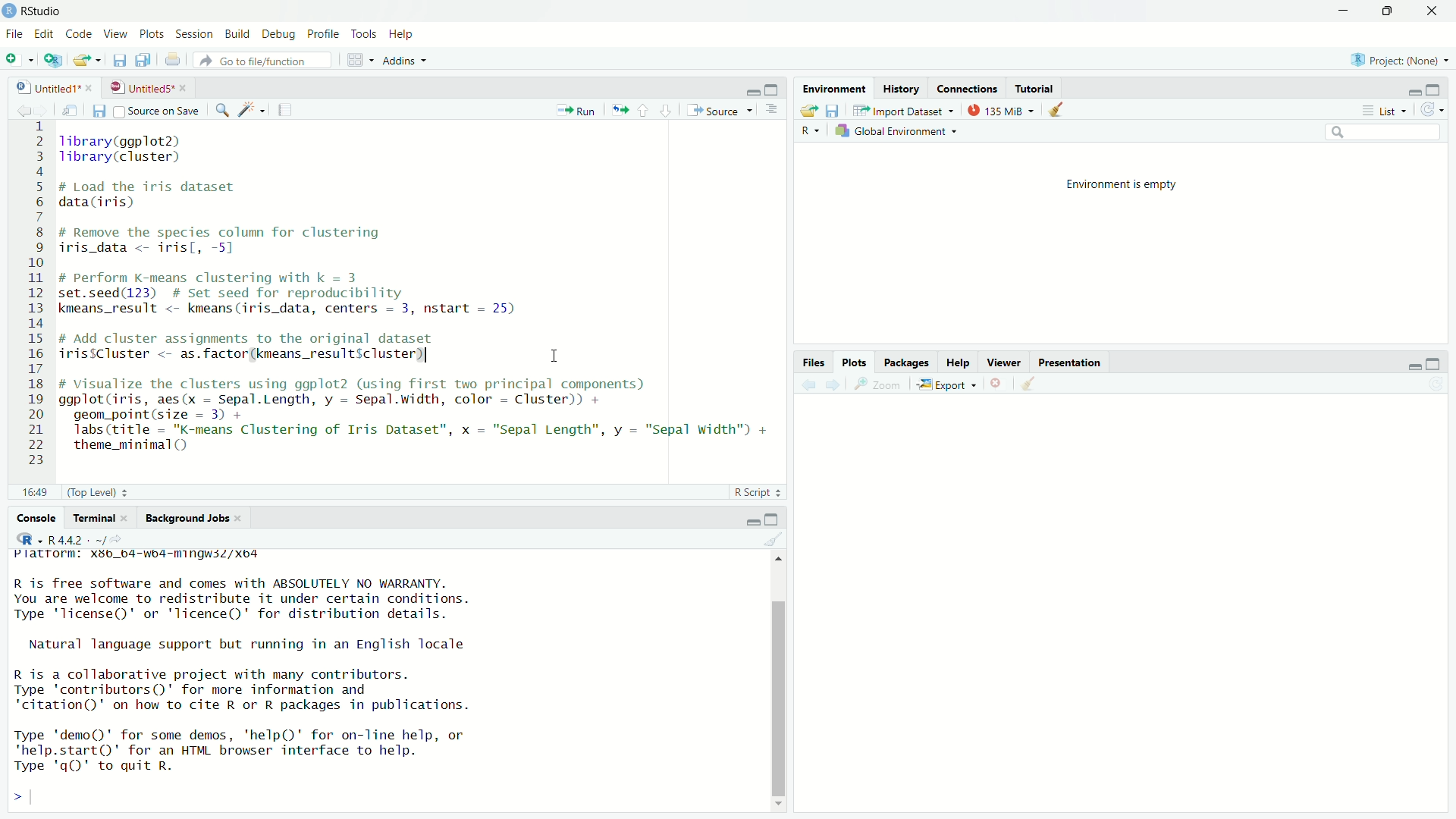 The image size is (1456, 819). I want to click on view, so click(112, 33).